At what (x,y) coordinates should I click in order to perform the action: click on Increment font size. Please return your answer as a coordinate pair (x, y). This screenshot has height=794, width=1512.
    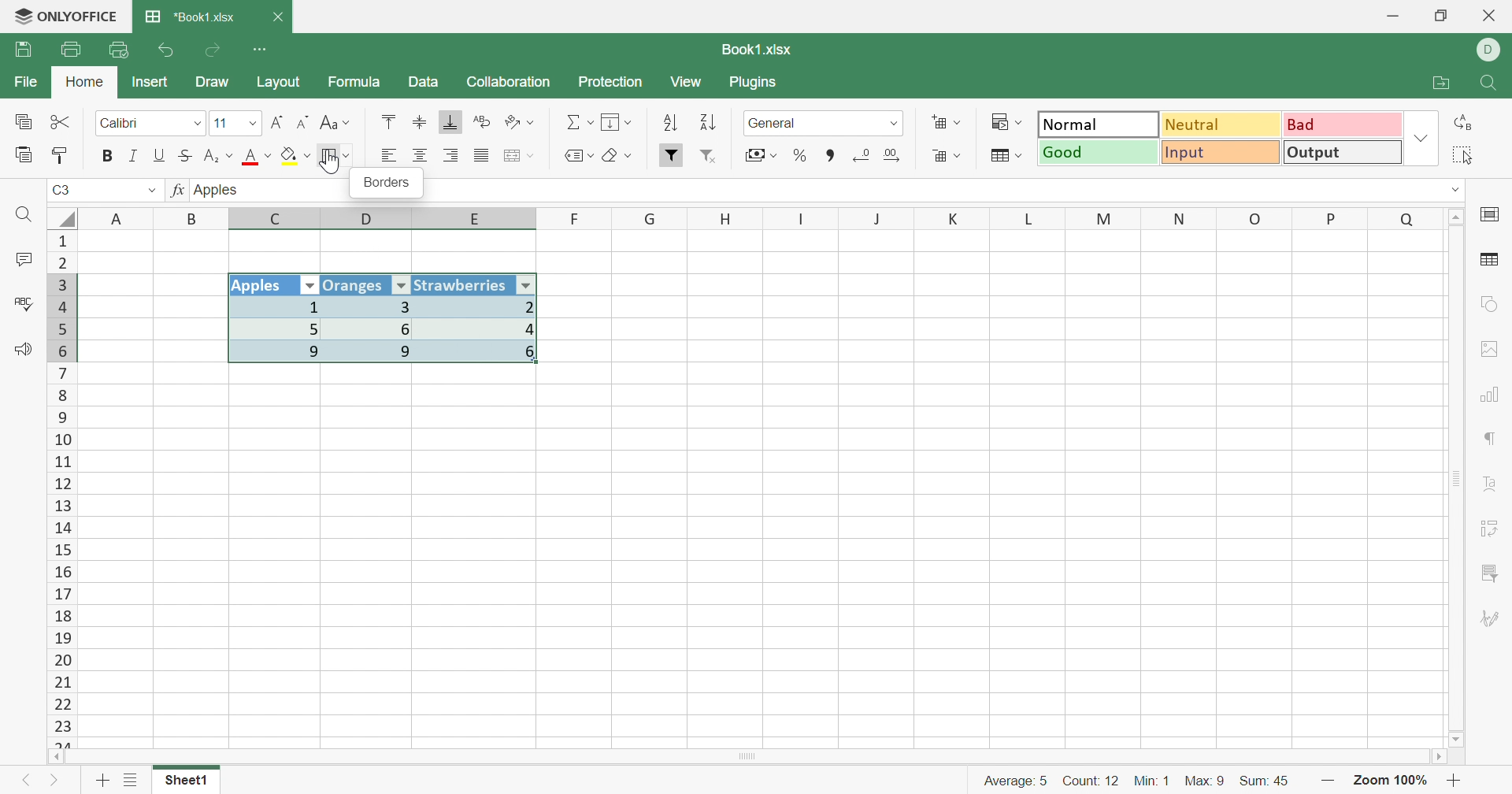
    Looking at the image, I should click on (276, 122).